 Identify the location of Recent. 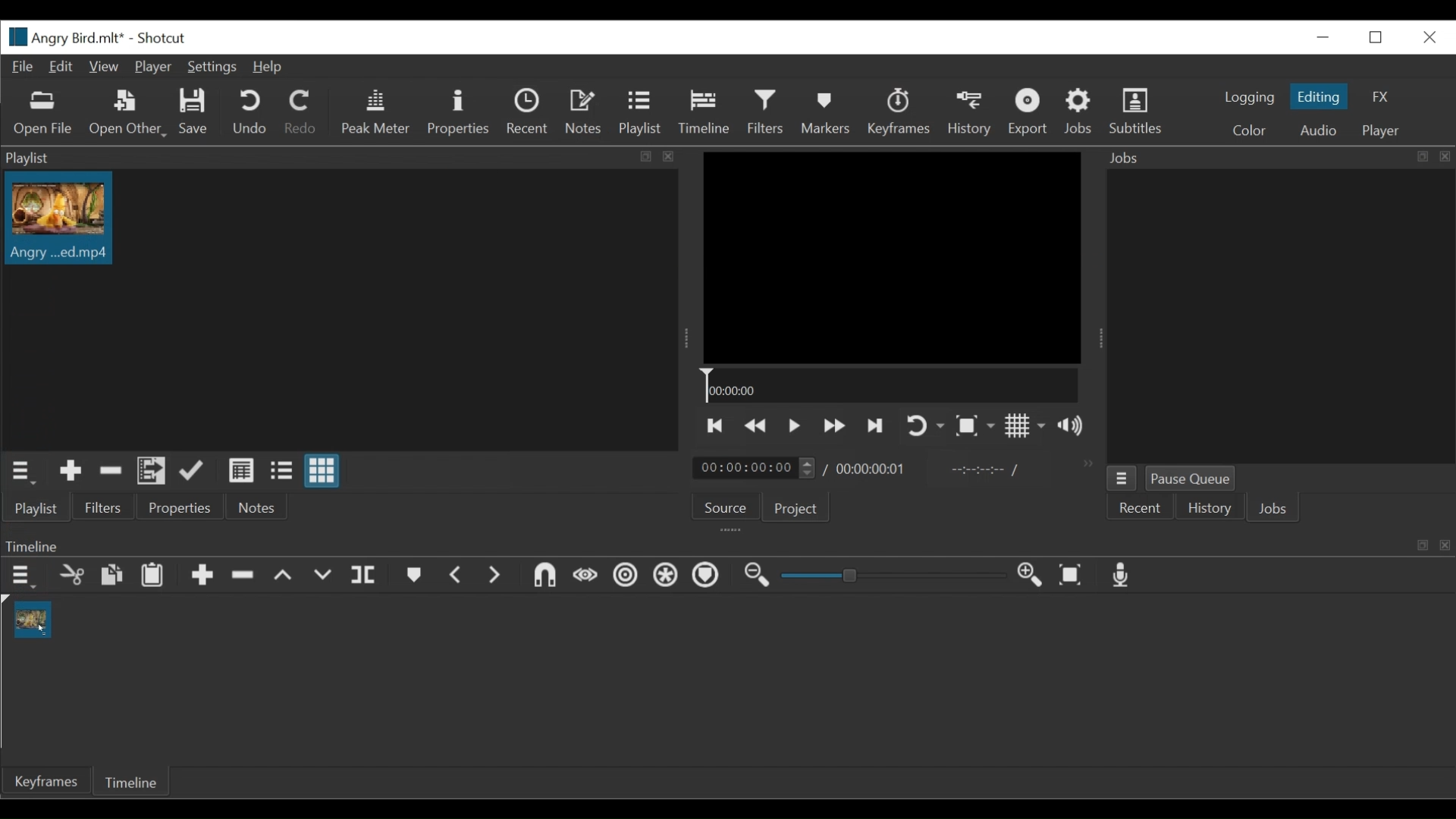
(1140, 509).